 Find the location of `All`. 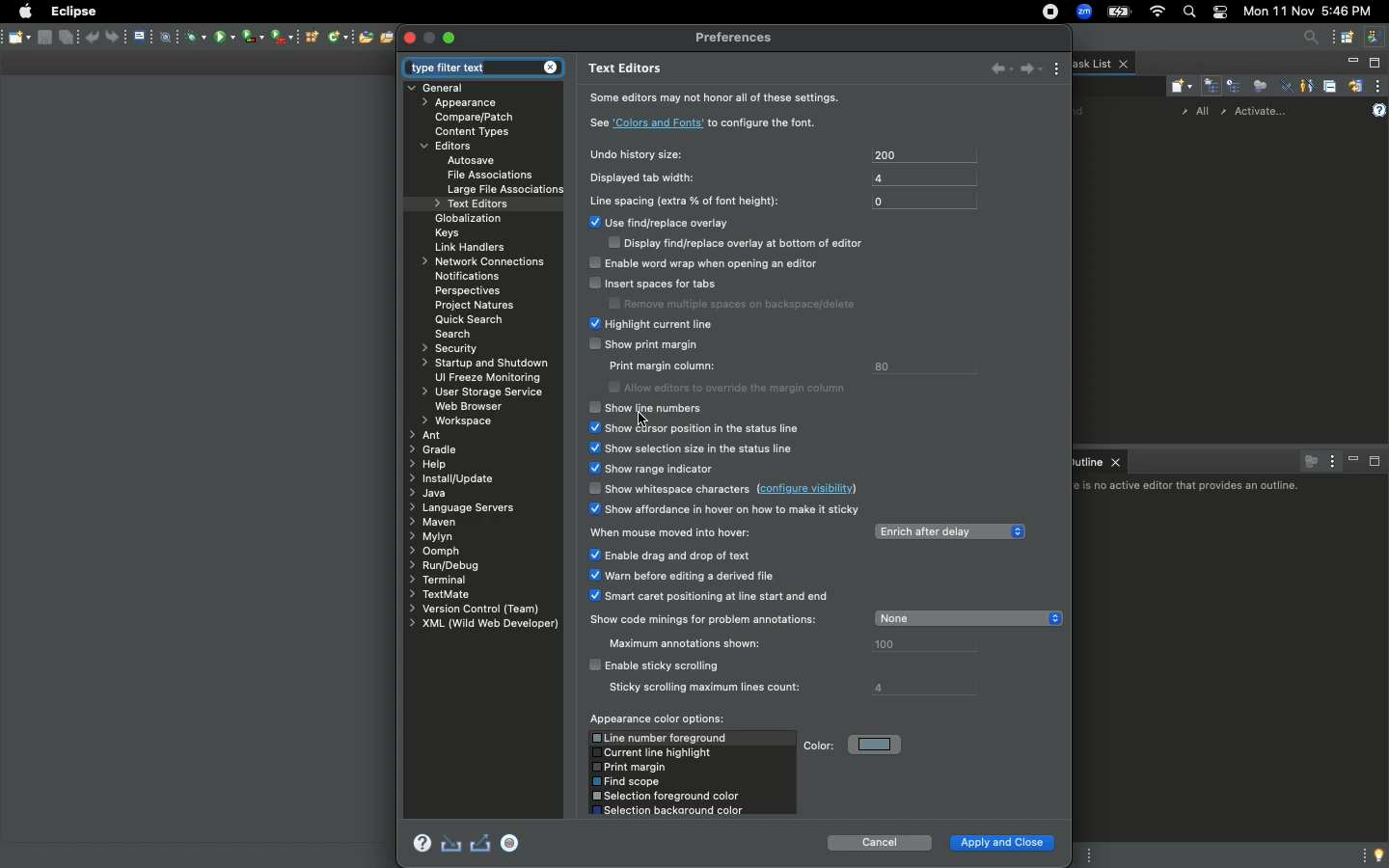

All is located at coordinates (1197, 112).